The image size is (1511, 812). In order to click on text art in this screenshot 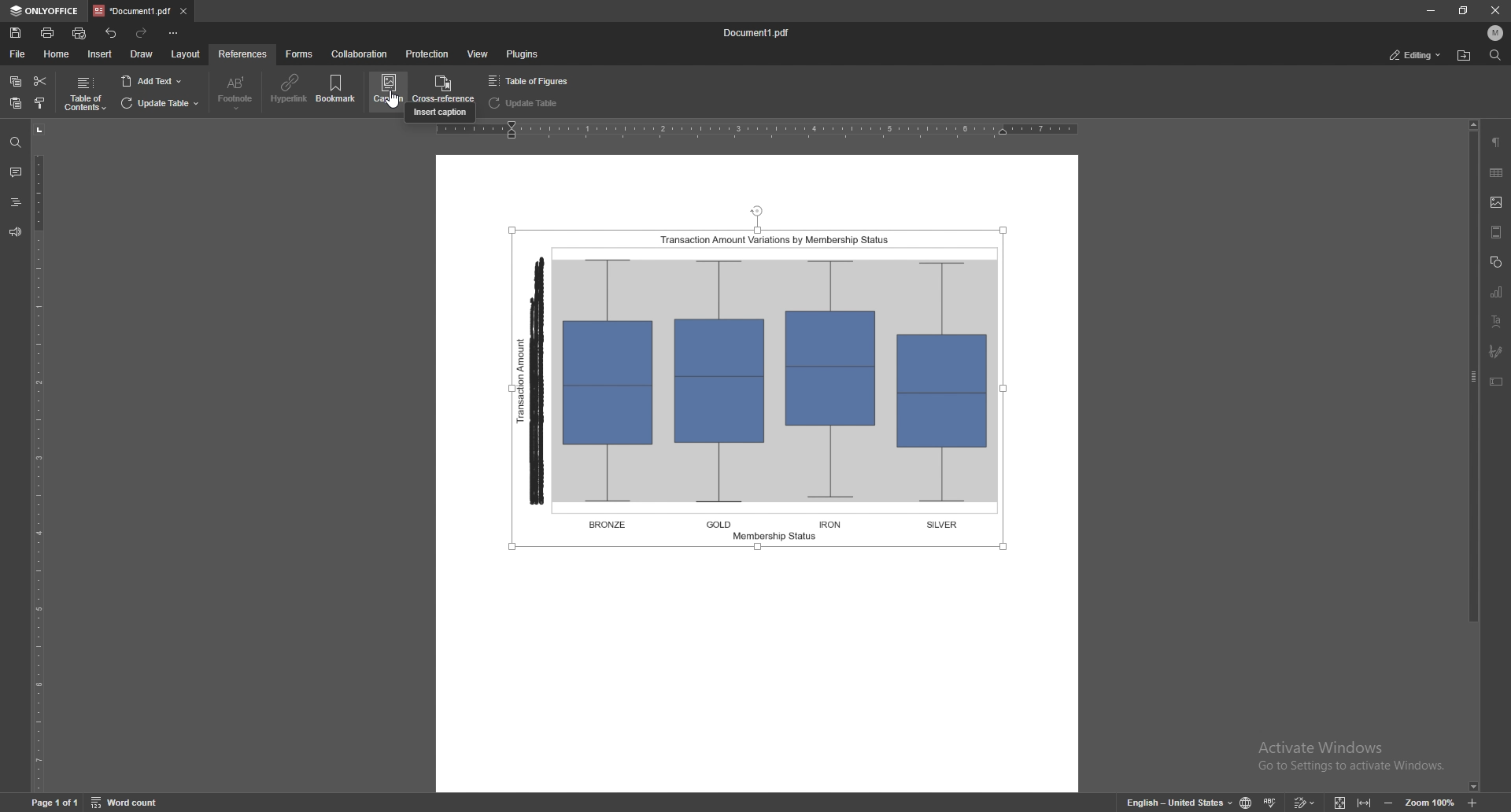, I will do `click(1495, 321)`.